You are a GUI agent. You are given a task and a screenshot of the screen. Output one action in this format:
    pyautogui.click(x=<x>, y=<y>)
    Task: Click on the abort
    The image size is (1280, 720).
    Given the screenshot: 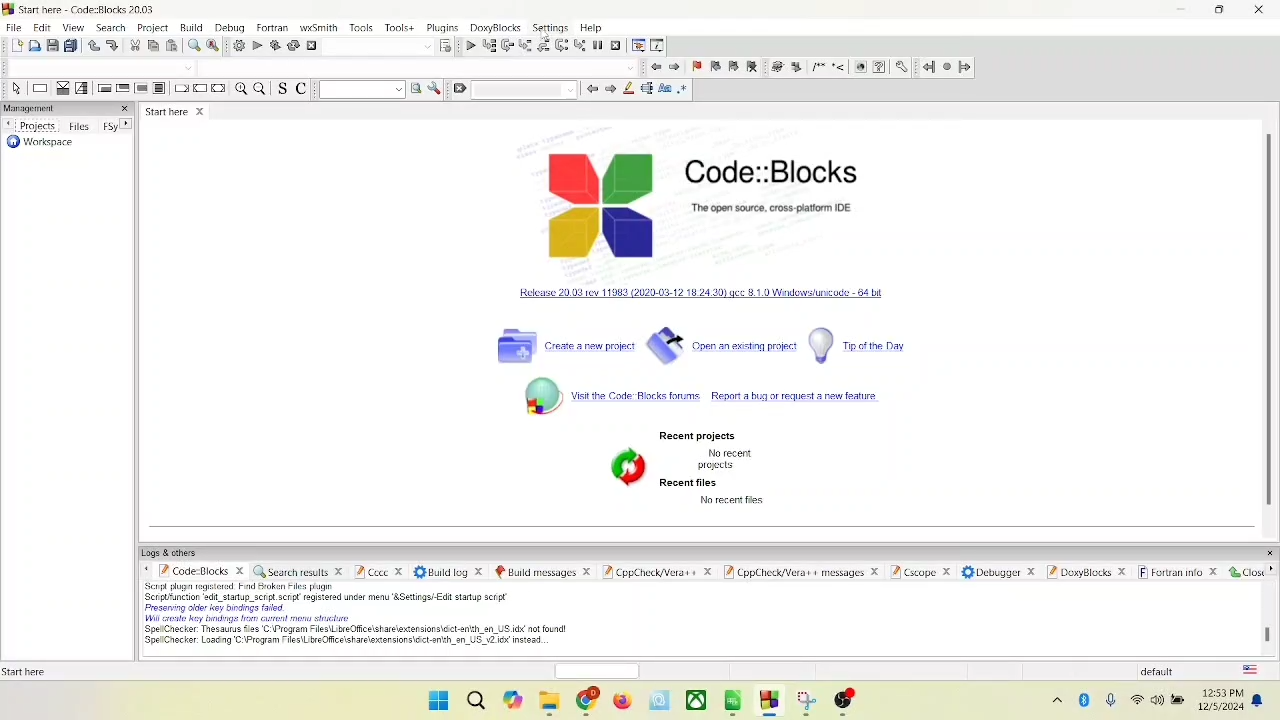 What is the action you would take?
    pyautogui.click(x=312, y=46)
    